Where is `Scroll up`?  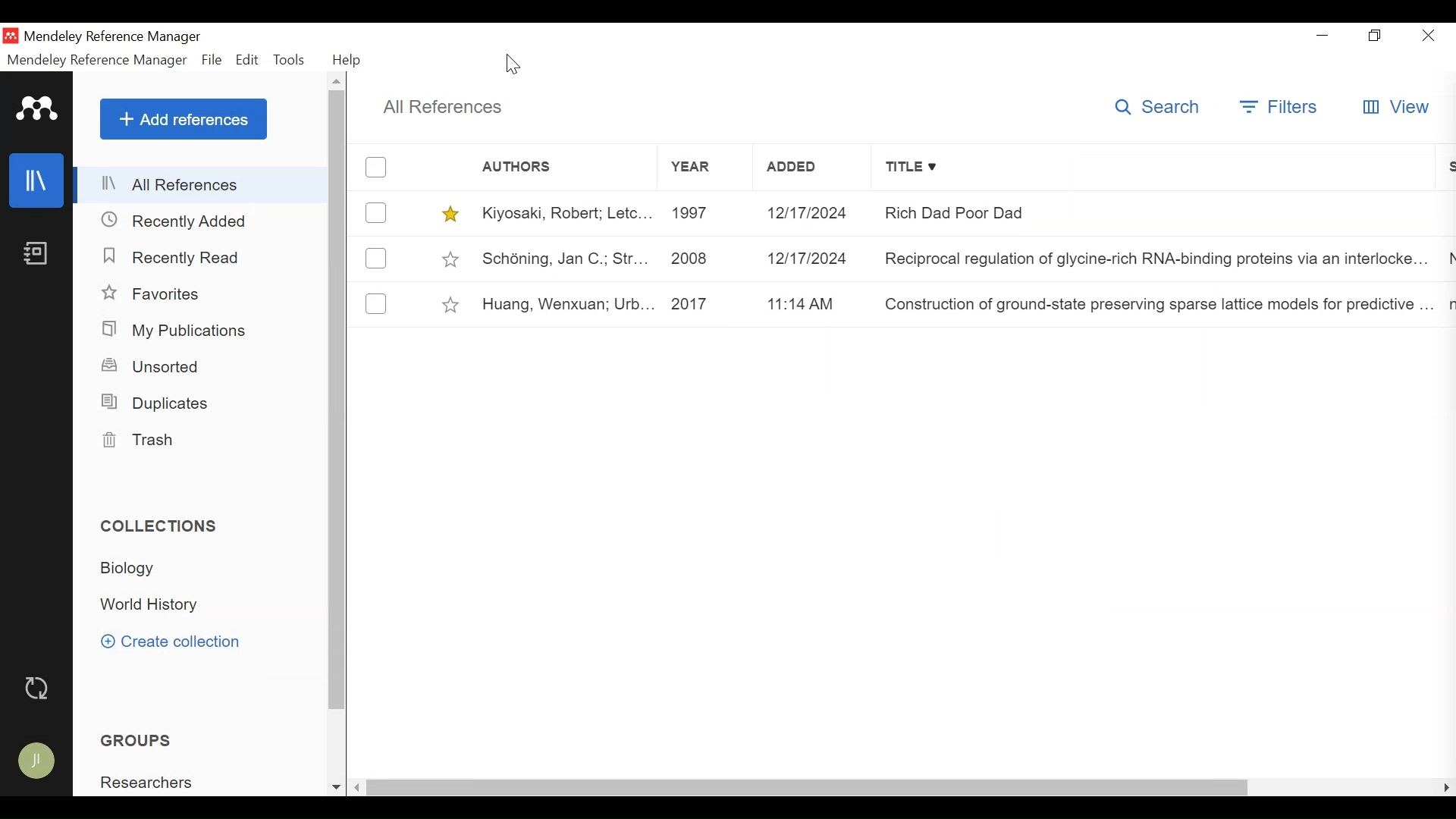 Scroll up is located at coordinates (336, 81).